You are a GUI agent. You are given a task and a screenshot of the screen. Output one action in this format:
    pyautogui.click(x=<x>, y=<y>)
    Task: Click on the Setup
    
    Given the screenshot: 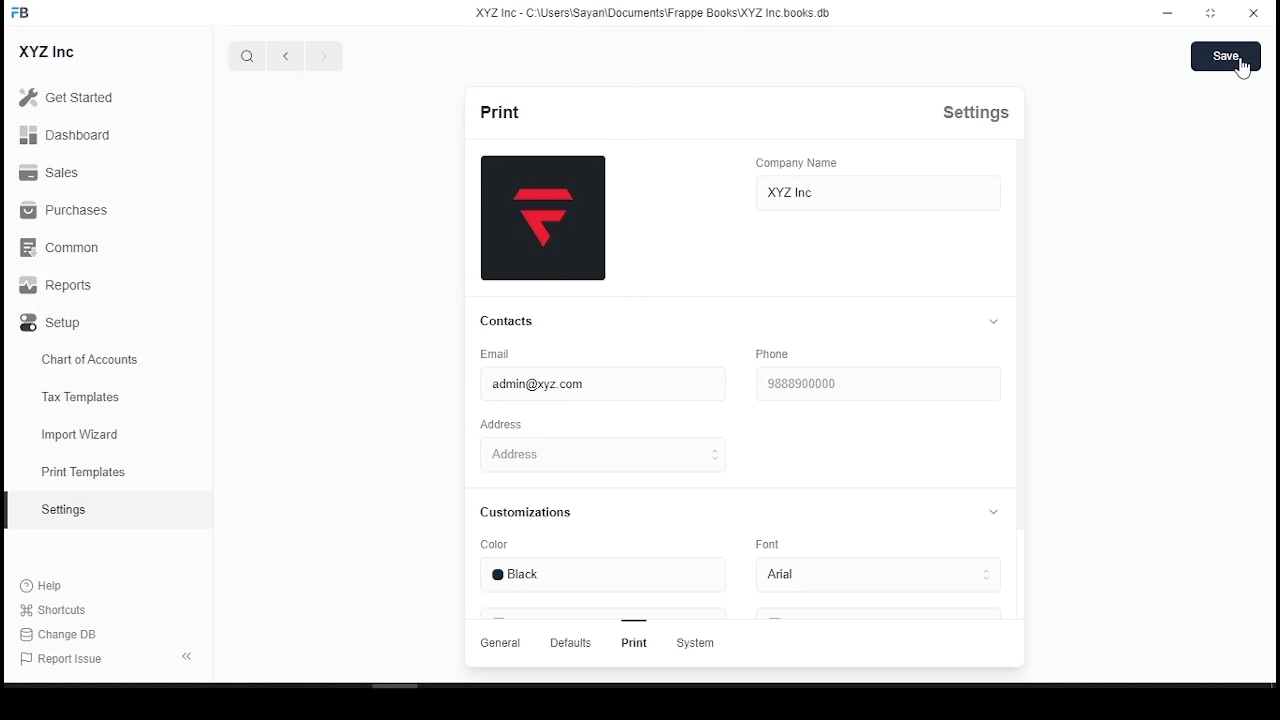 What is the action you would take?
    pyautogui.click(x=50, y=323)
    